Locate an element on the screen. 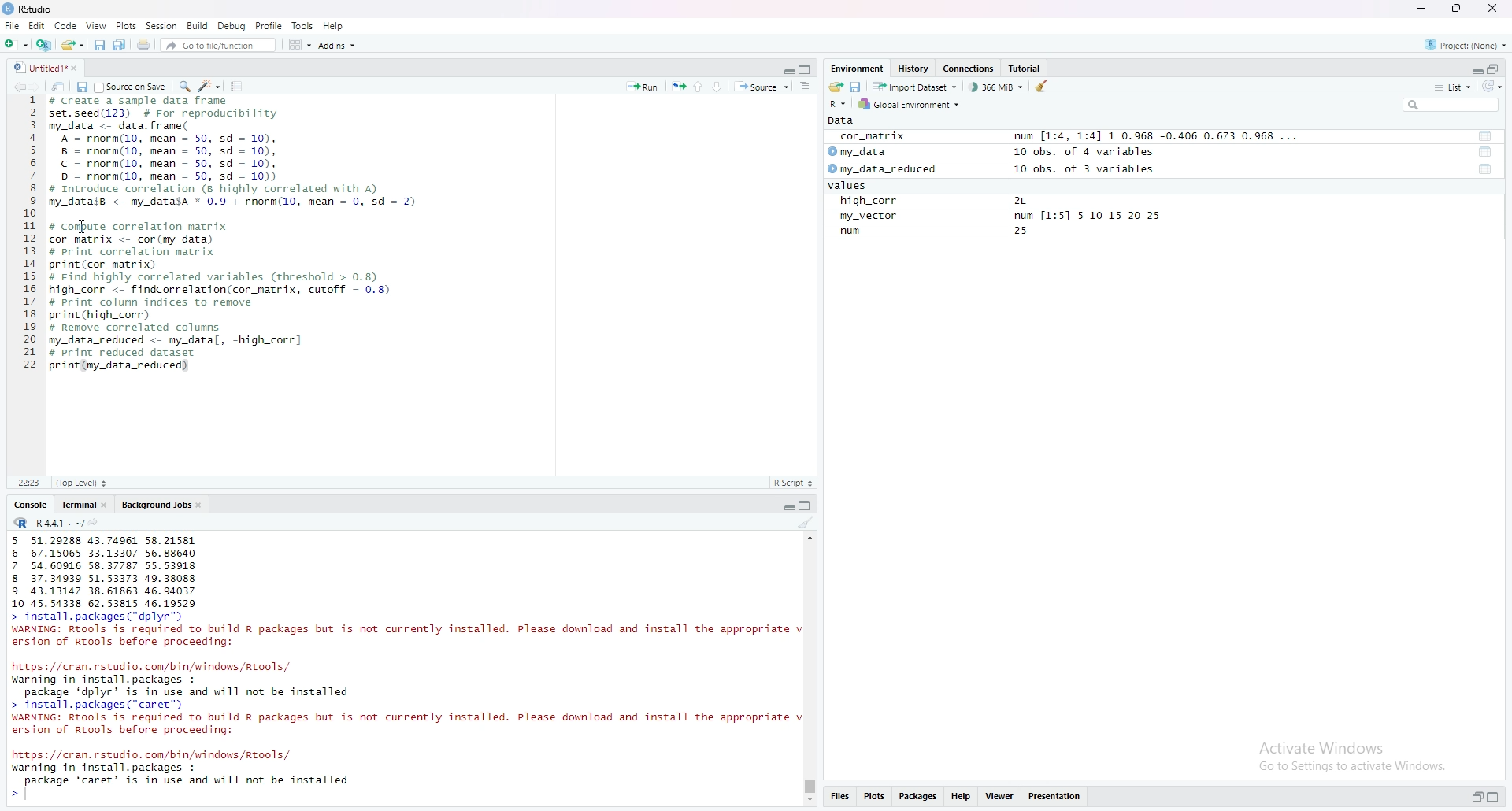  more is located at coordinates (806, 86).